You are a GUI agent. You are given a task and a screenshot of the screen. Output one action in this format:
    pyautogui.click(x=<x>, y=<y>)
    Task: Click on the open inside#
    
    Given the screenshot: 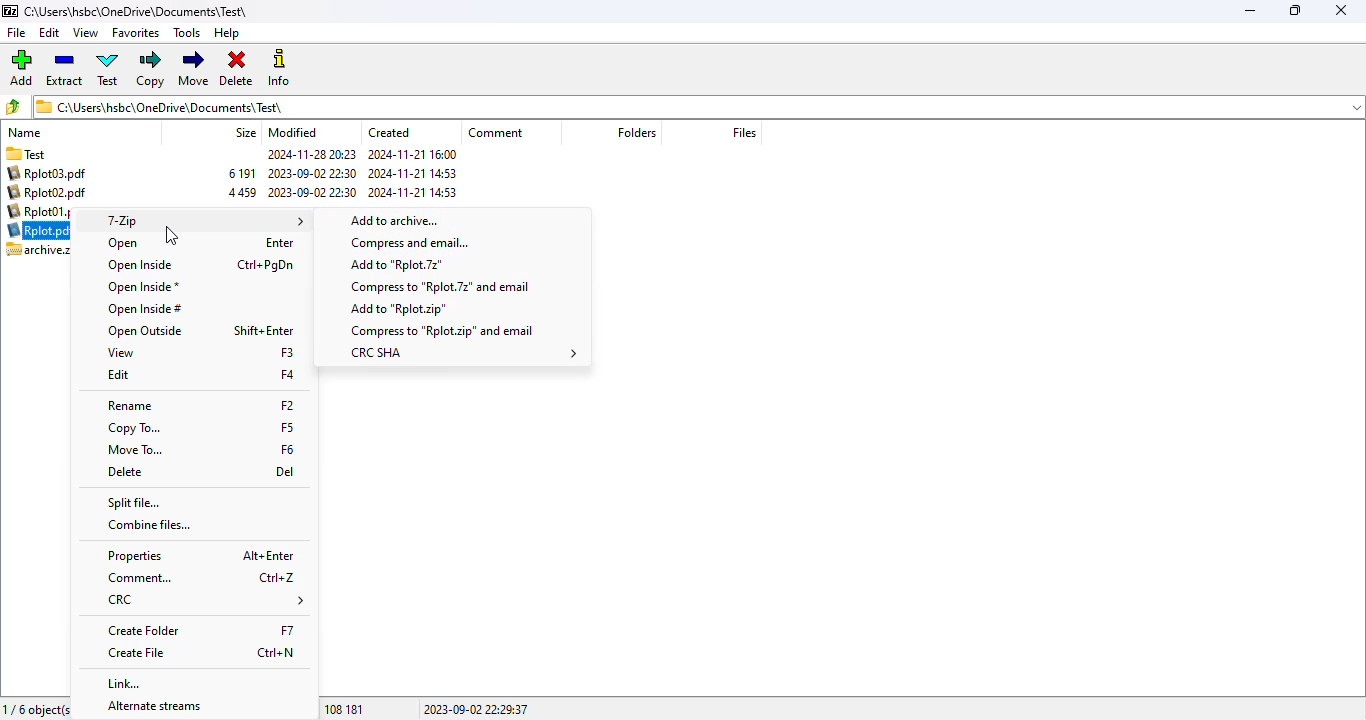 What is the action you would take?
    pyautogui.click(x=145, y=310)
    